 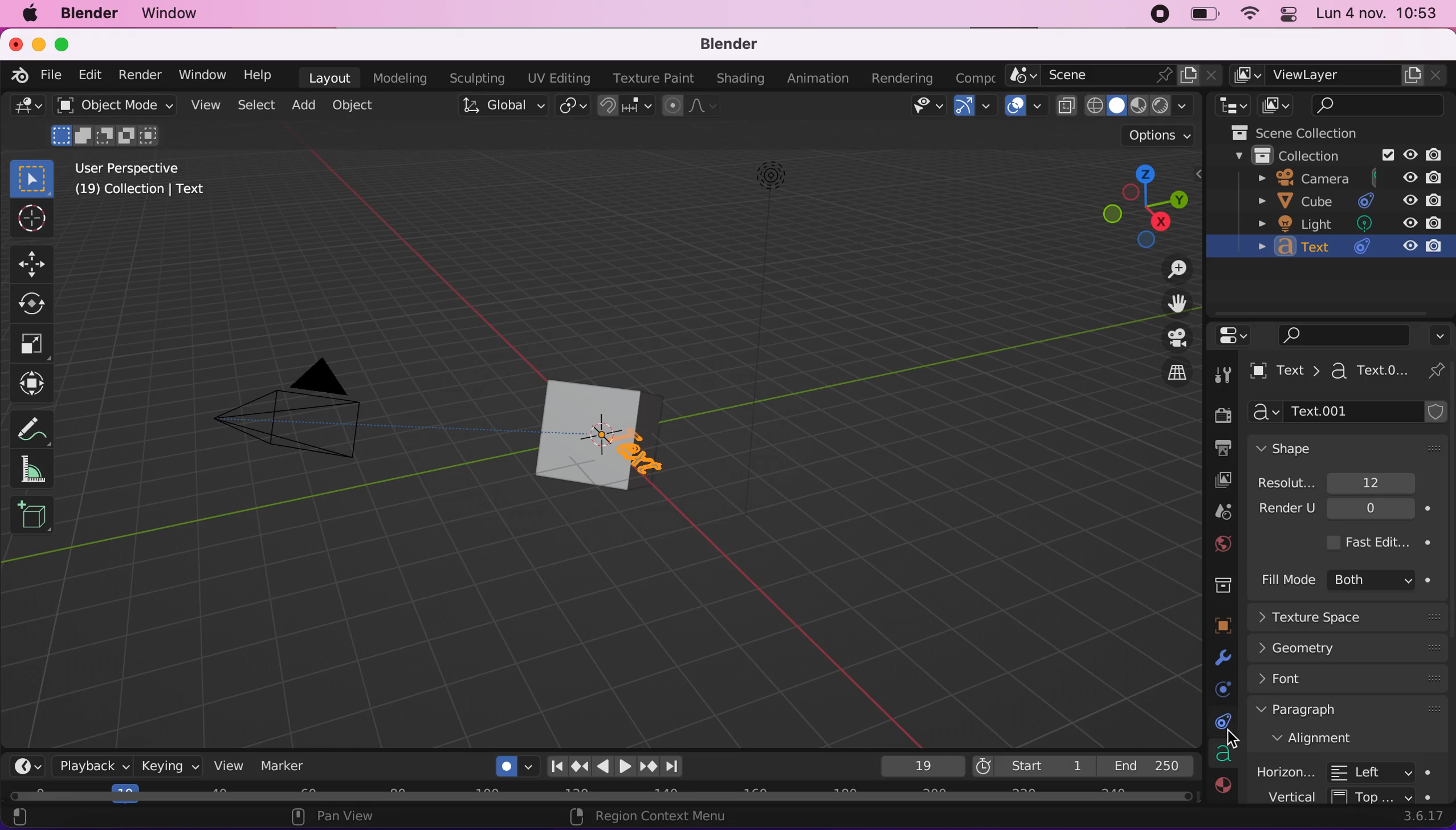 What do you see at coordinates (1214, 481) in the screenshot?
I see `viewlayer` at bounding box center [1214, 481].